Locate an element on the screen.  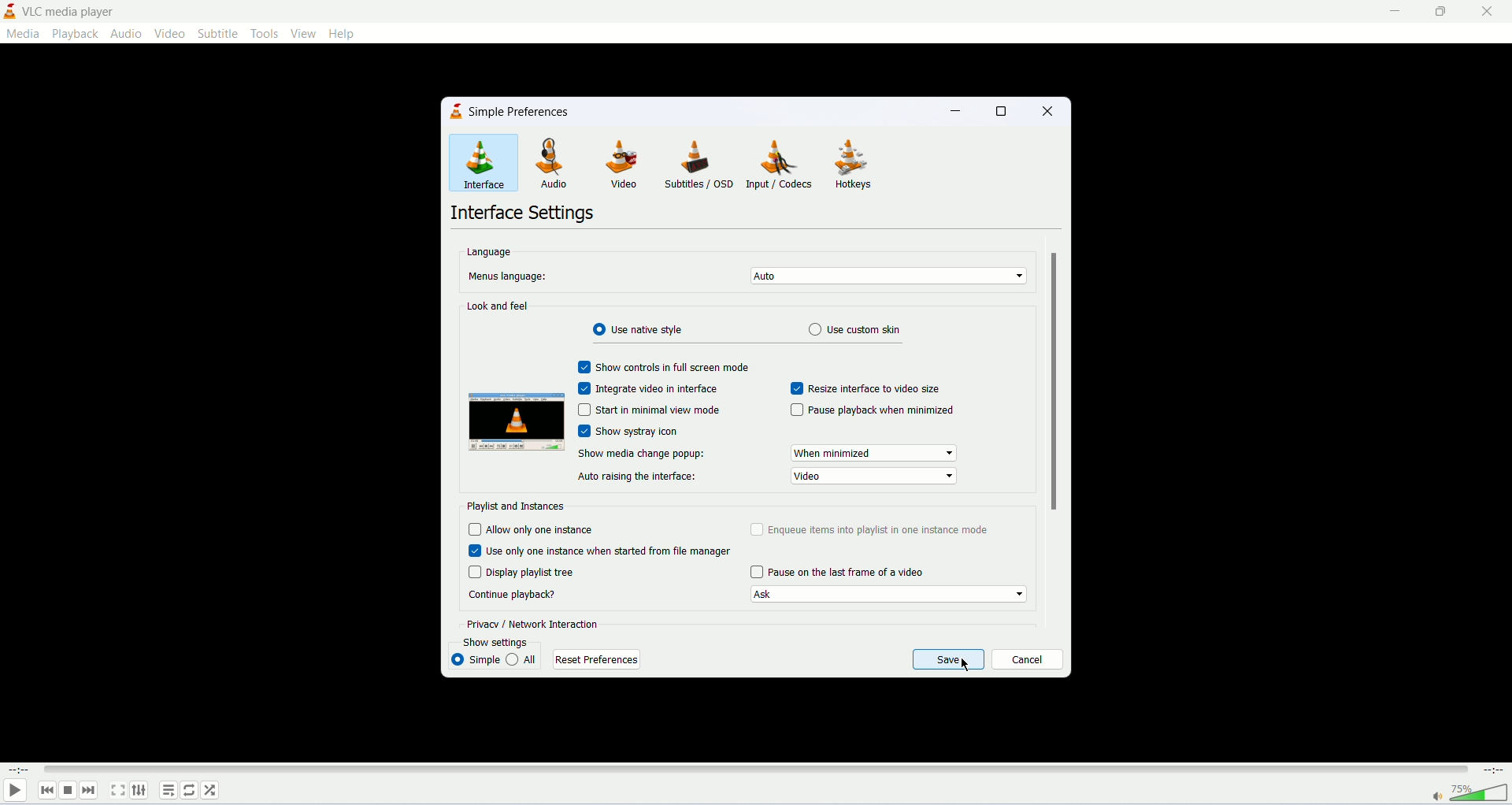
previous is located at coordinates (49, 792).